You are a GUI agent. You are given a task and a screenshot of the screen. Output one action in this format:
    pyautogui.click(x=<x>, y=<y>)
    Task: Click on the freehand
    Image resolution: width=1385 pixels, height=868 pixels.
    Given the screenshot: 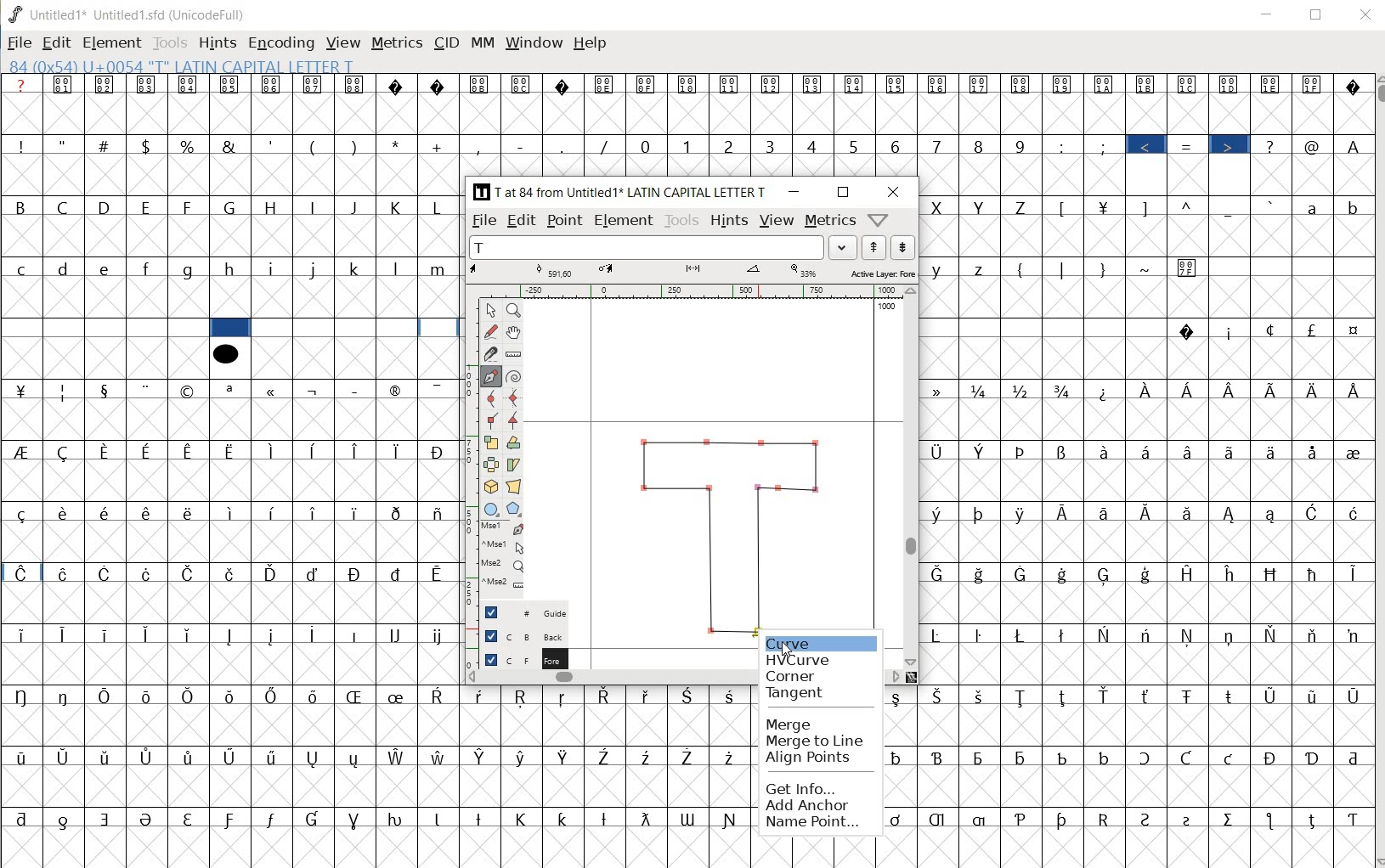 What is the action you would take?
    pyautogui.click(x=492, y=332)
    